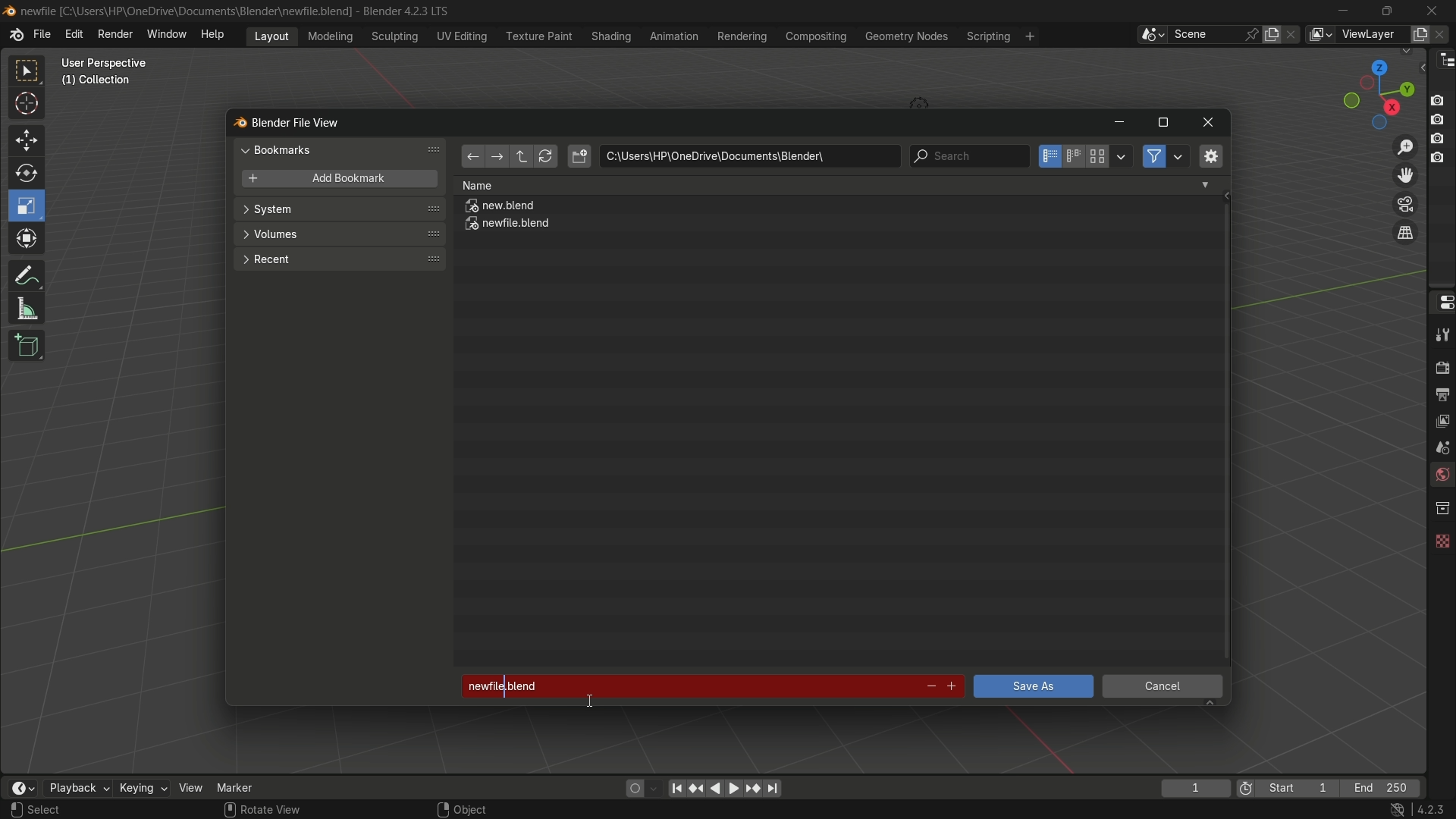  I want to click on move view layer, so click(1404, 174).